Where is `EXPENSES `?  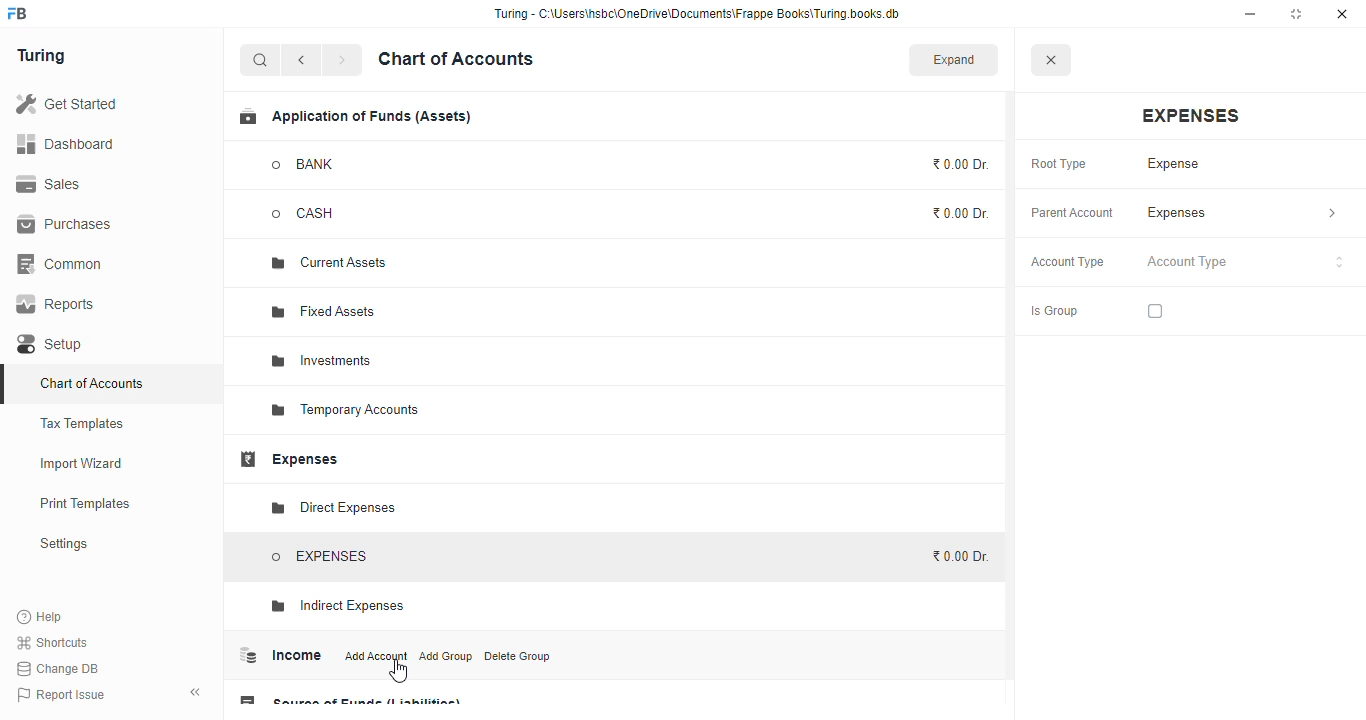 EXPENSES  is located at coordinates (320, 555).